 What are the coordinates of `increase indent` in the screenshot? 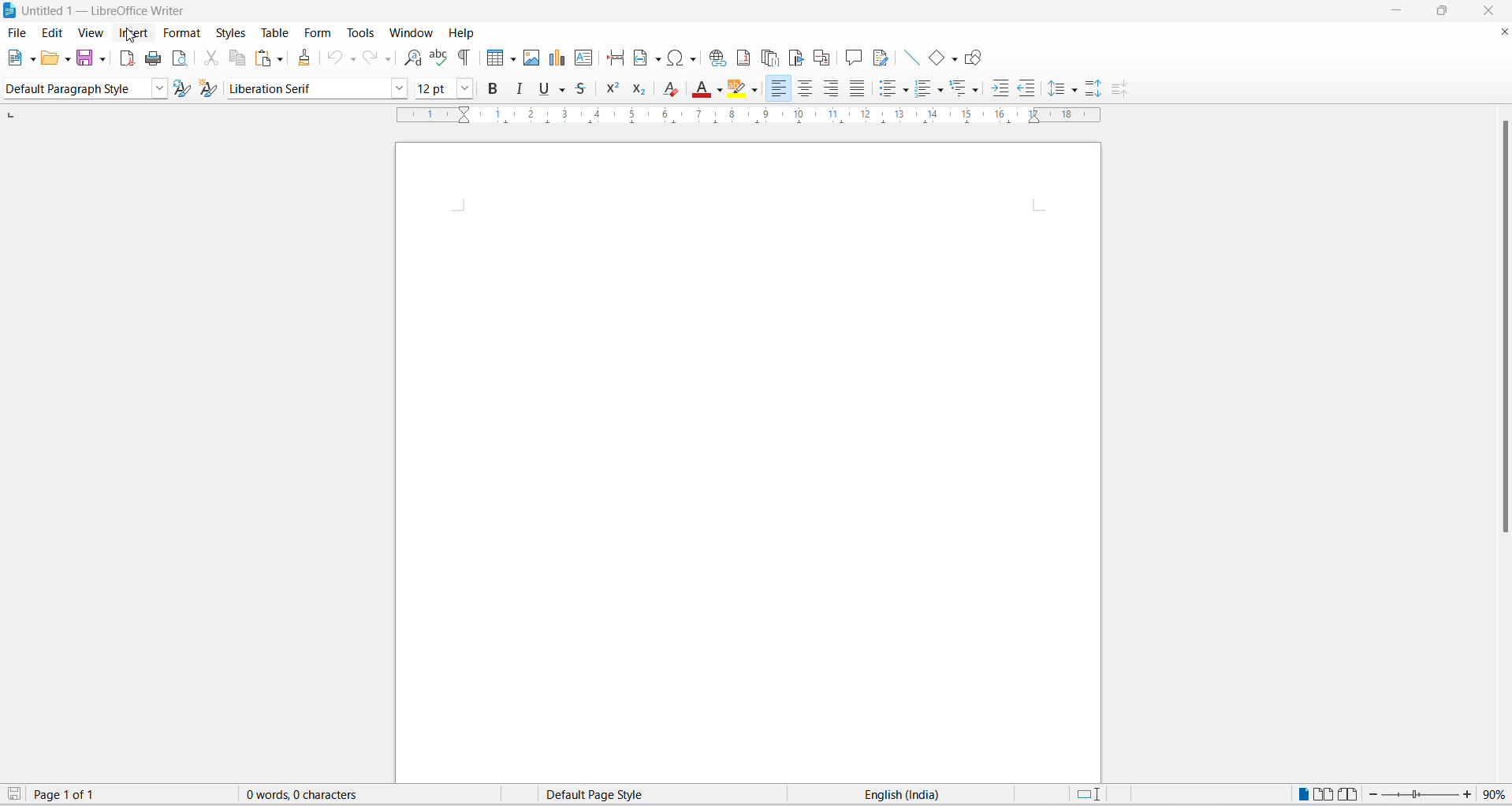 It's located at (1000, 90).